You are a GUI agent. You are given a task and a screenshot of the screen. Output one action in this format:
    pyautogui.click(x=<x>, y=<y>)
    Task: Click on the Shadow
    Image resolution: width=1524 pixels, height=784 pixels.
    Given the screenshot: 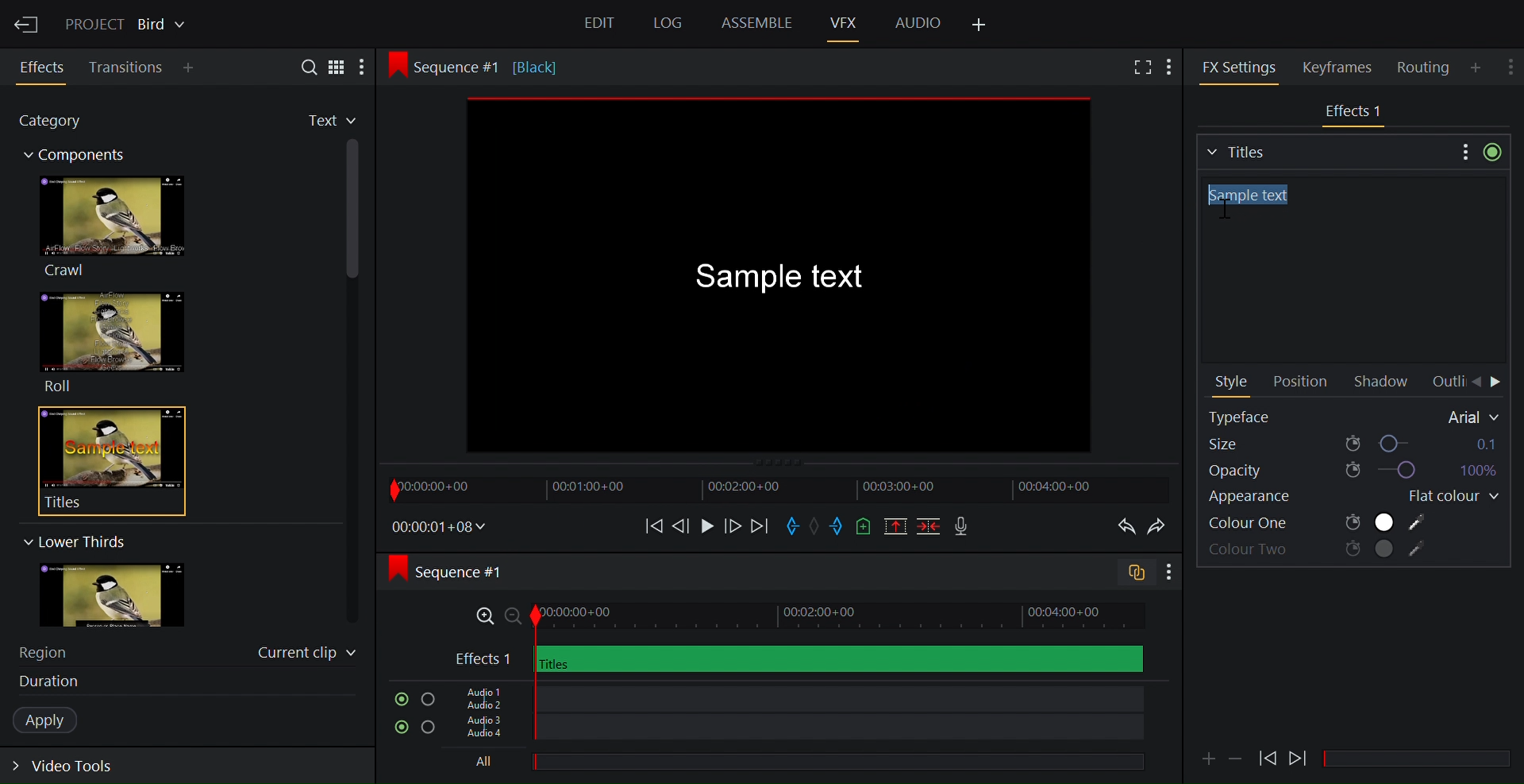 What is the action you would take?
    pyautogui.click(x=1385, y=382)
    